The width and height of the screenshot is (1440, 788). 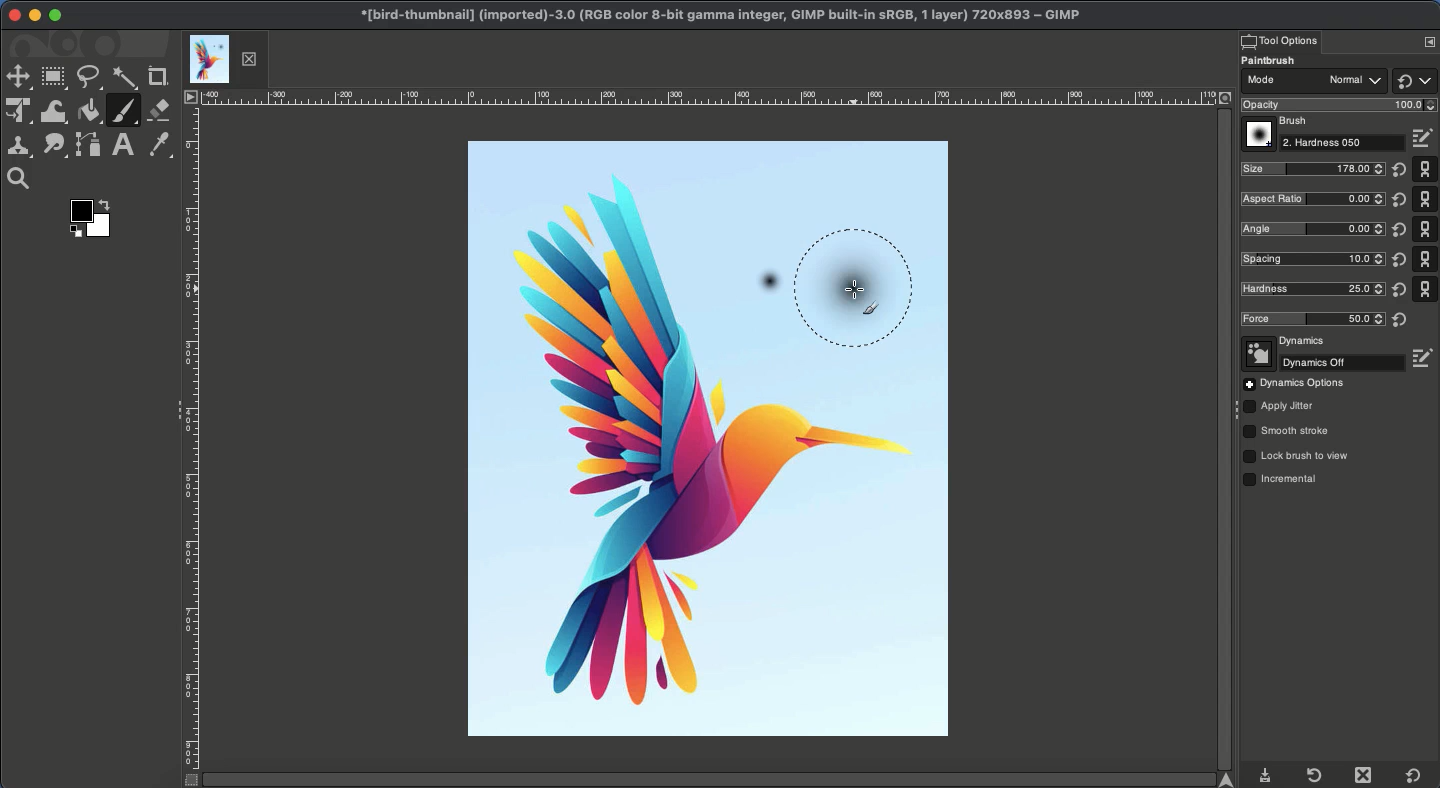 What do you see at coordinates (34, 15) in the screenshot?
I see `Minimize` at bounding box center [34, 15].